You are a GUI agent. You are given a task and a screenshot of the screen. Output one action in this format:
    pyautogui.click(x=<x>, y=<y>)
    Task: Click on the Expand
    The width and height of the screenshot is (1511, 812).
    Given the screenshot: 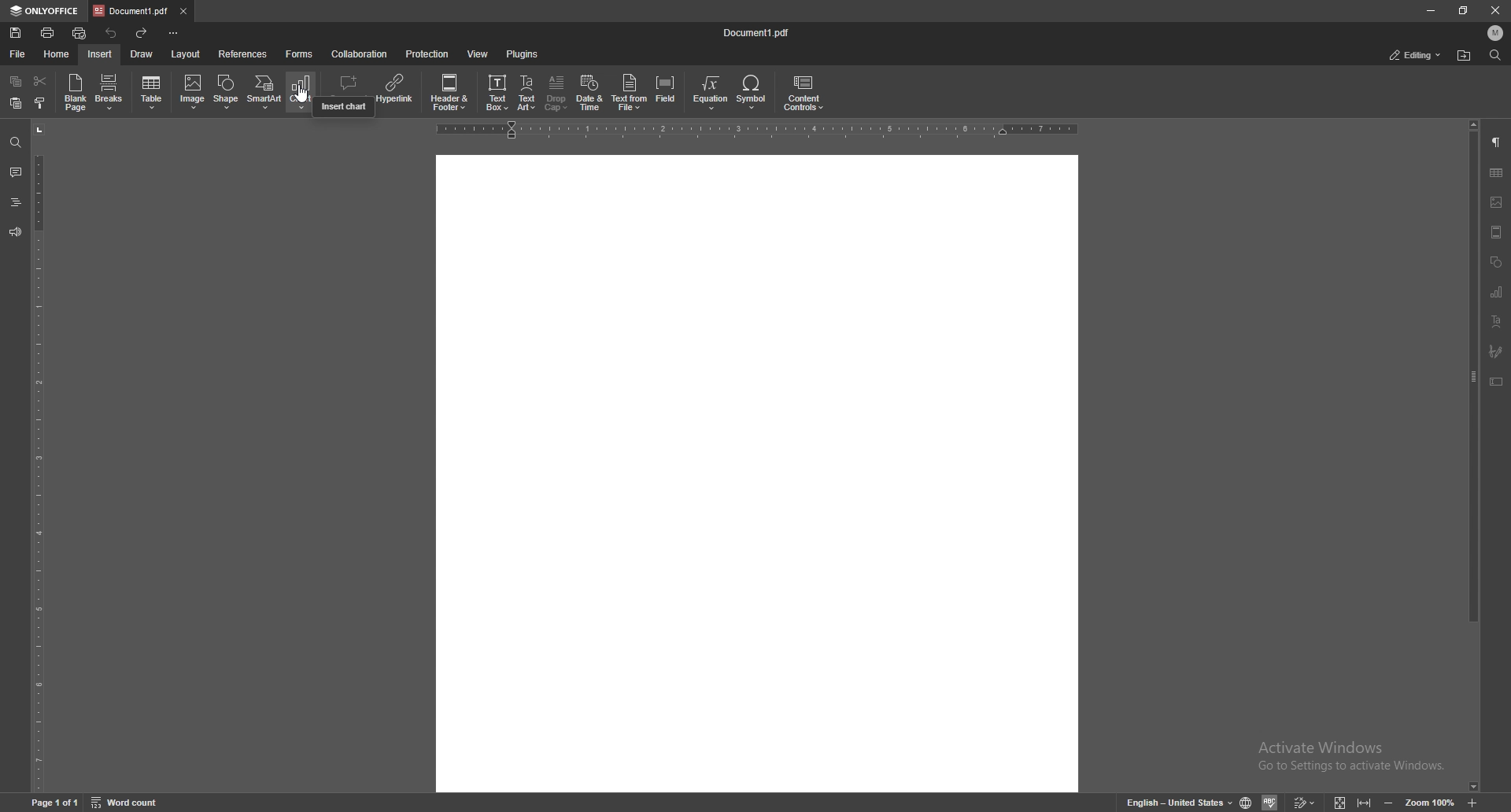 What is the action you would take?
    pyautogui.click(x=1364, y=803)
    